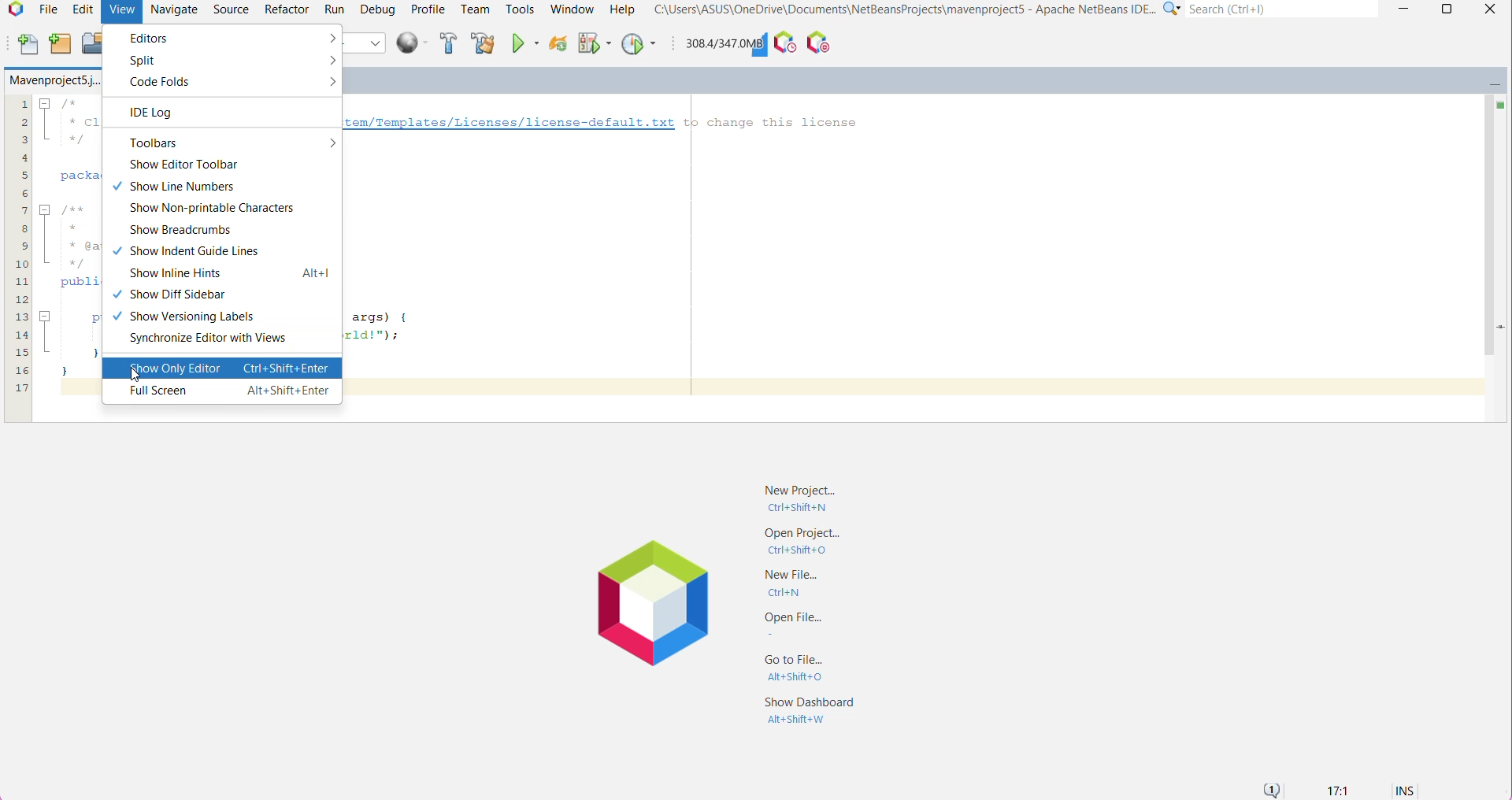 This screenshot has width=1512, height=800. What do you see at coordinates (228, 83) in the screenshot?
I see `Code Folds` at bounding box center [228, 83].